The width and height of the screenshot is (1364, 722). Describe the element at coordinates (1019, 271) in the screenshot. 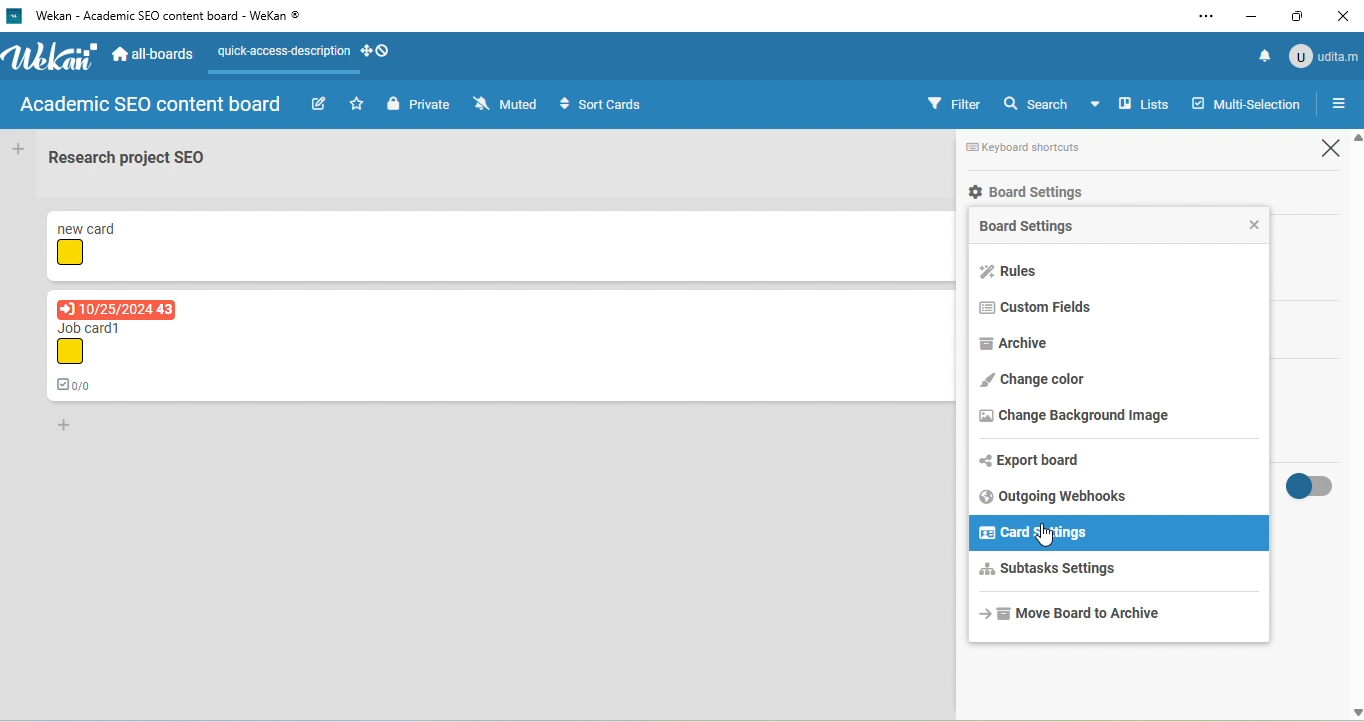

I see `rules` at that location.